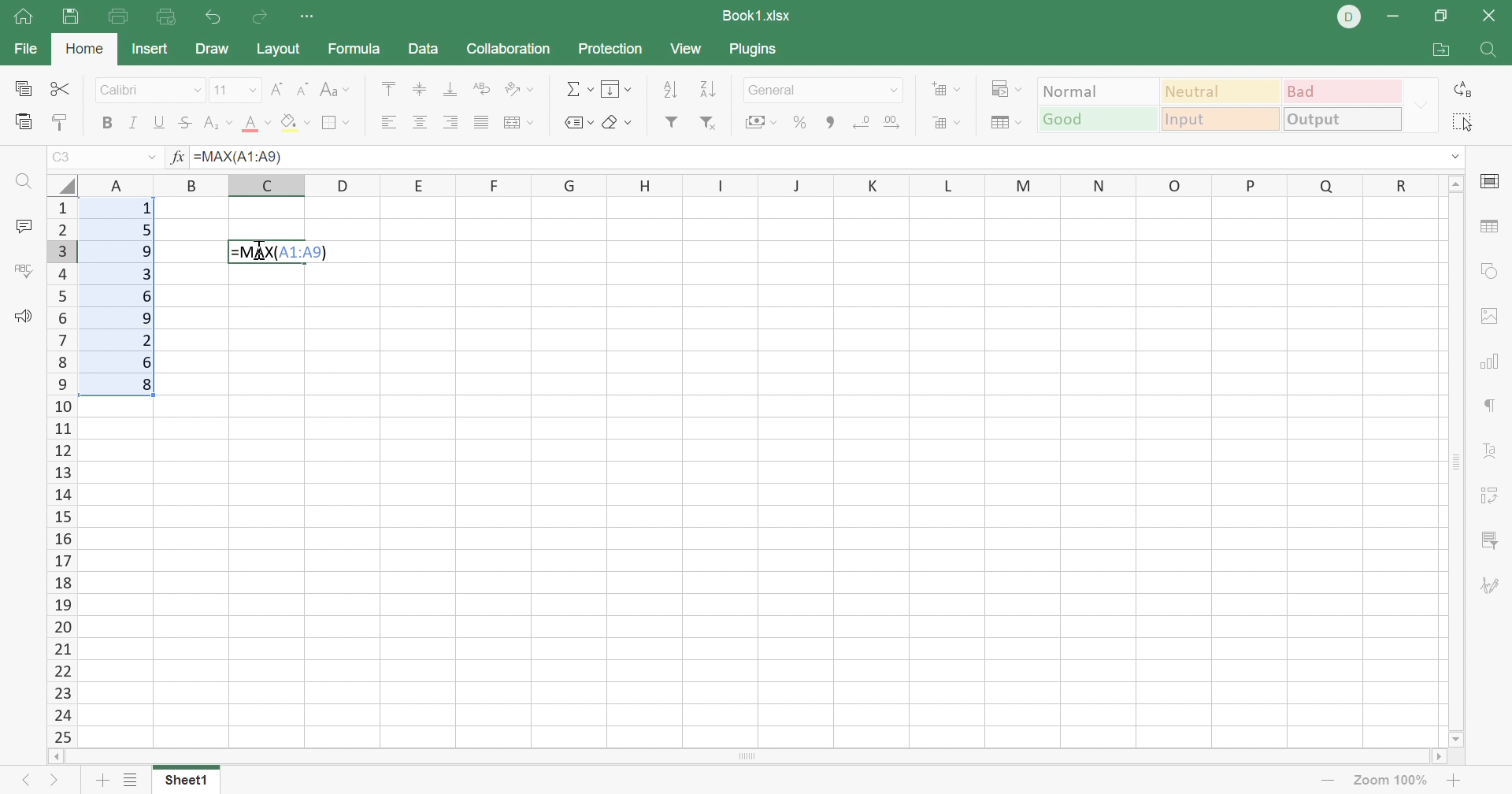  What do you see at coordinates (858, 121) in the screenshot?
I see `Decrease decimal` at bounding box center [858, 121].